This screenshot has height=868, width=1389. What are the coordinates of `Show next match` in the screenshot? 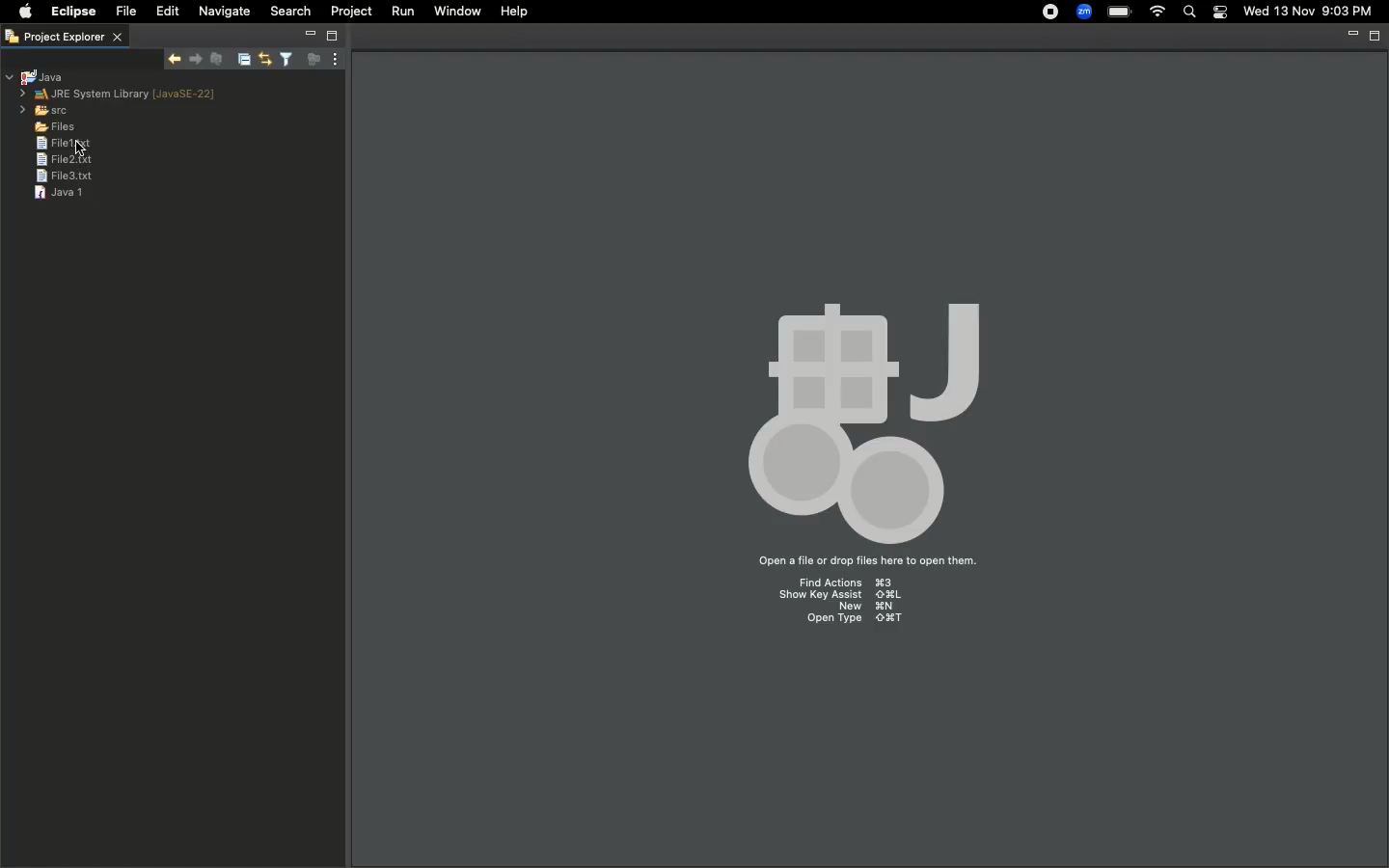 It's located at (177, 57).